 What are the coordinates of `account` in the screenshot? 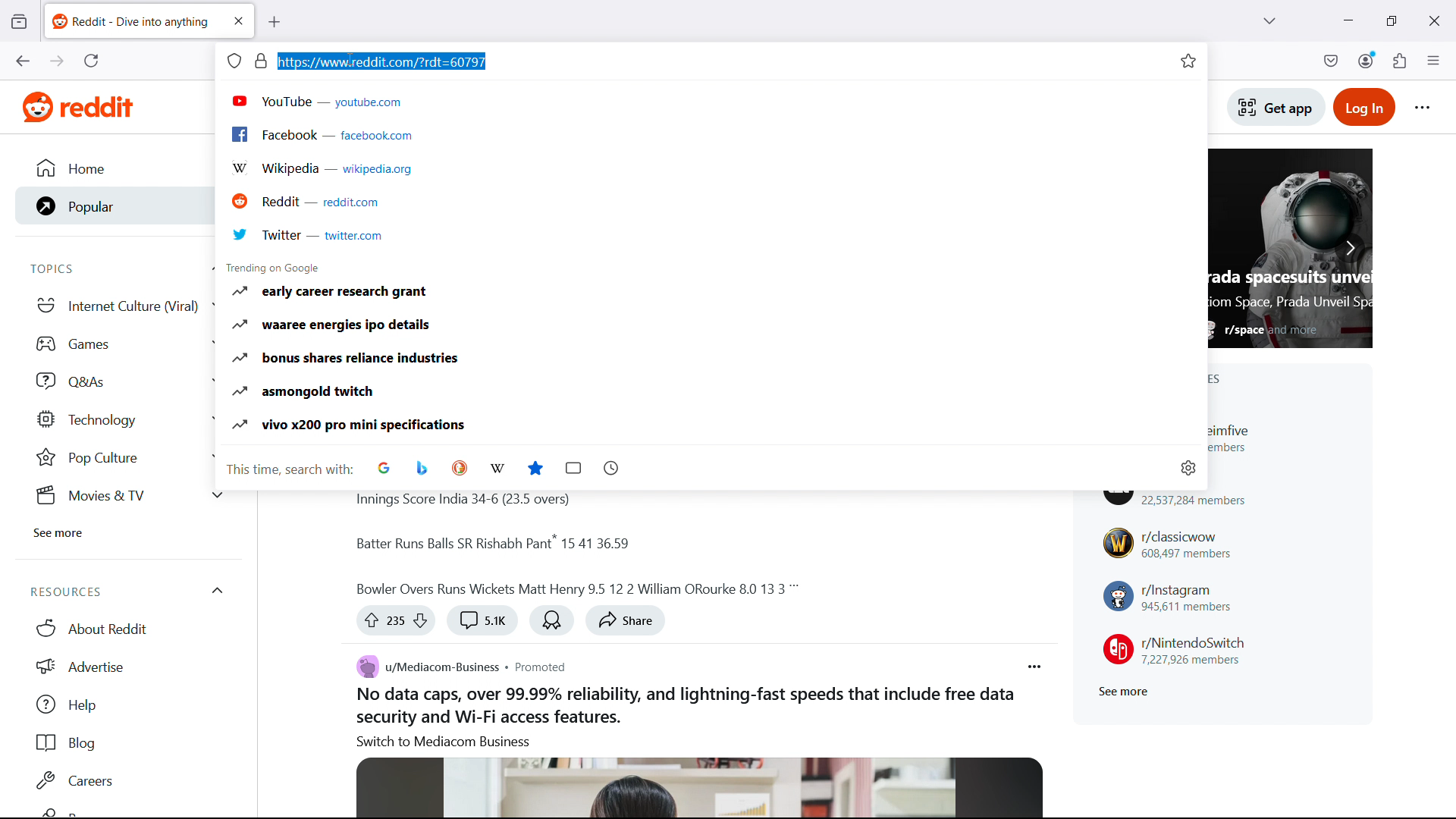 It's located at (1367, 59).